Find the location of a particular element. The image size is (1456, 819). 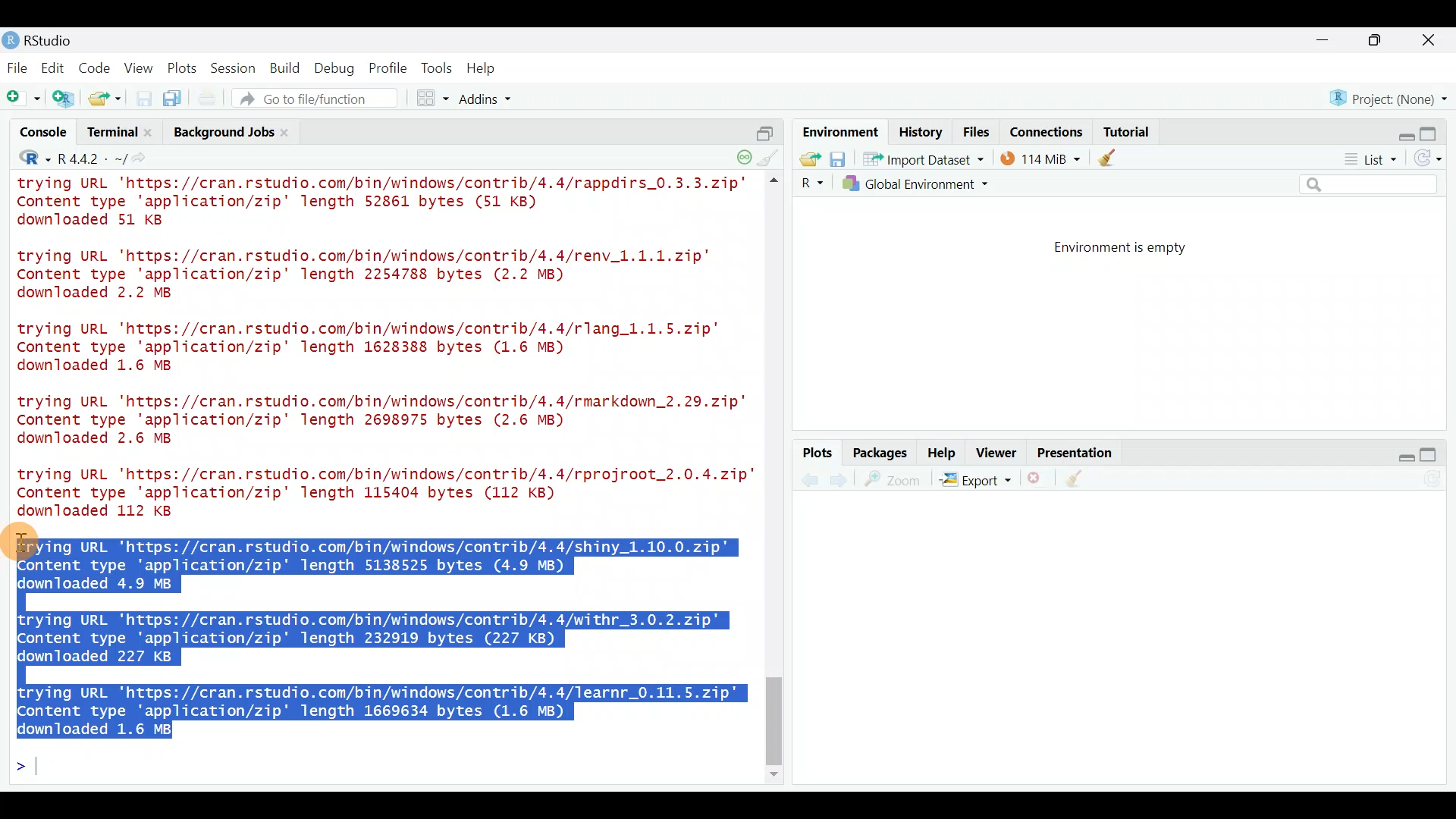

Refresh list of objects in the environment is located at coordinates (1433, 160).